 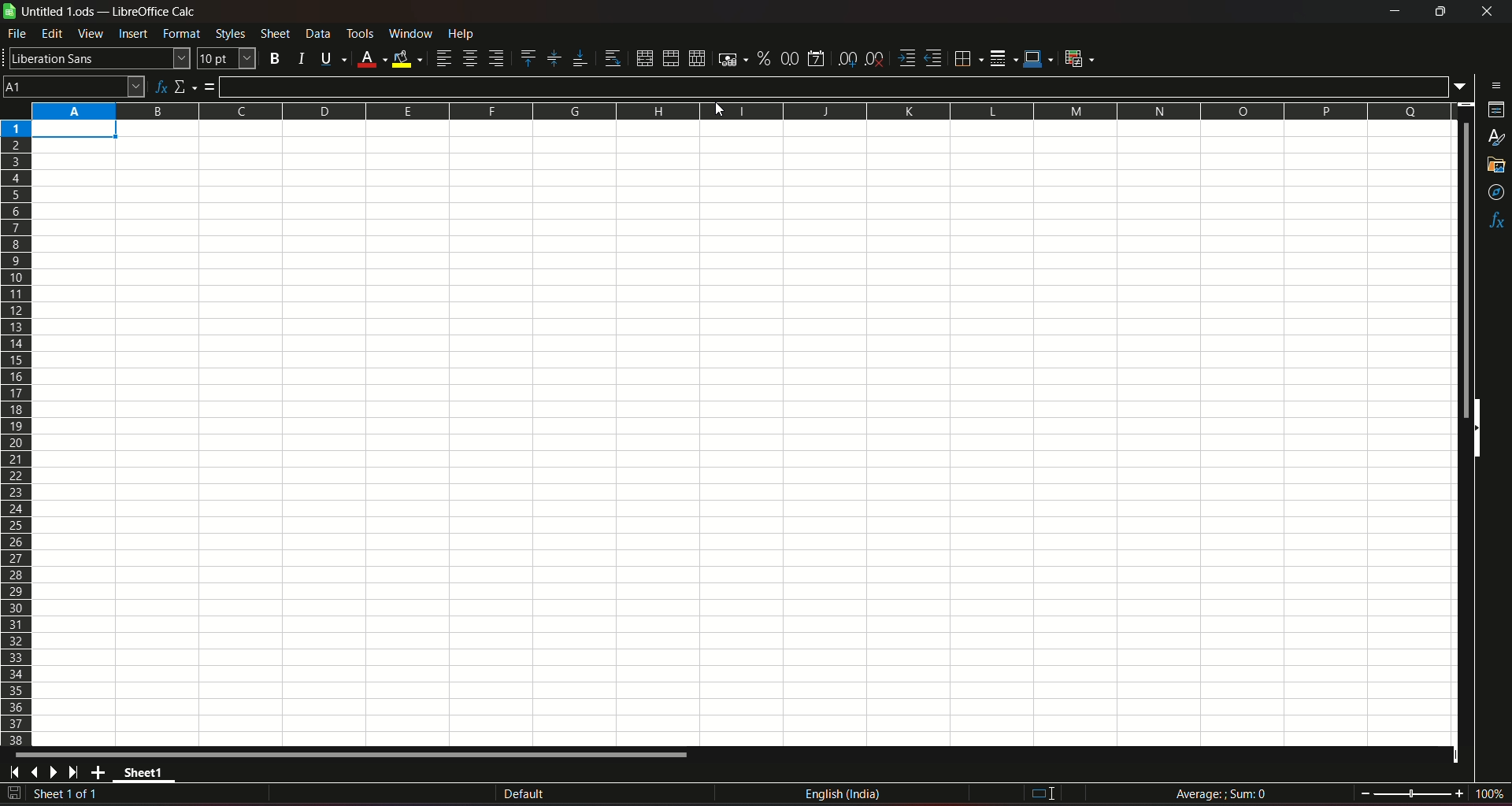 I want to click on function wizard, so click(x=159, y=85).